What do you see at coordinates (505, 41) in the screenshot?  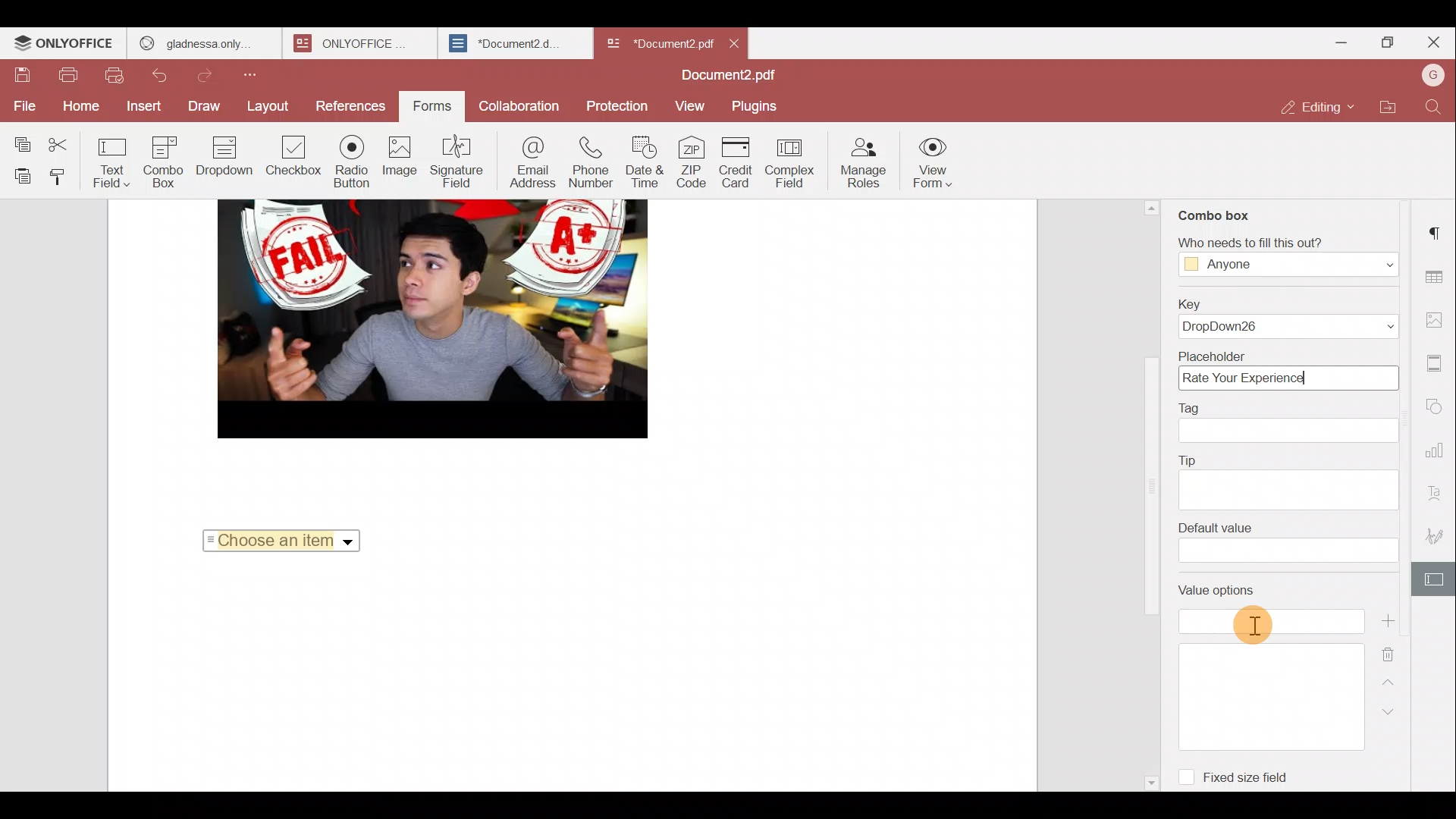 I see `*Document2.d.` at bounding box center [505, 41].